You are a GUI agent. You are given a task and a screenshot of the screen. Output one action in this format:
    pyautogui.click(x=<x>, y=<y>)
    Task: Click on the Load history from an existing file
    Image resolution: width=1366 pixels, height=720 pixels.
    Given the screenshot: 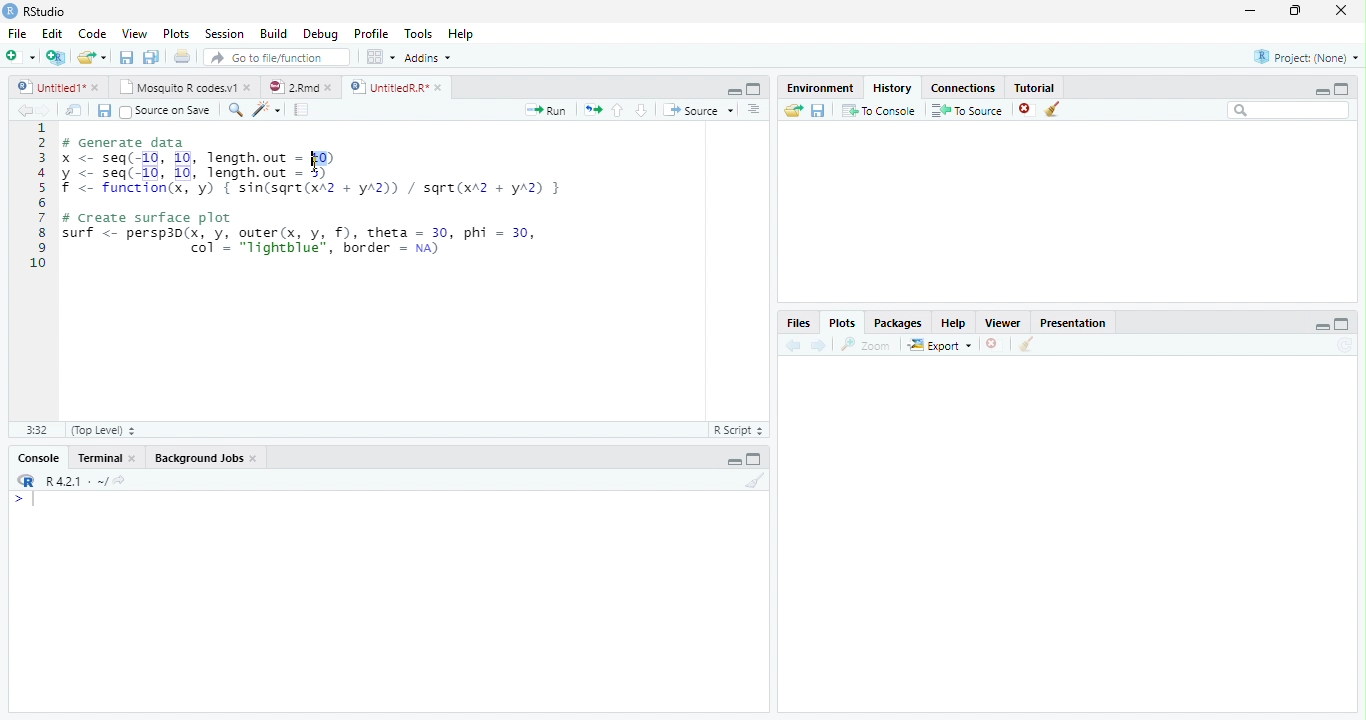 What is the action you would take?
    pyautogui.click(x=792, y=111)
    